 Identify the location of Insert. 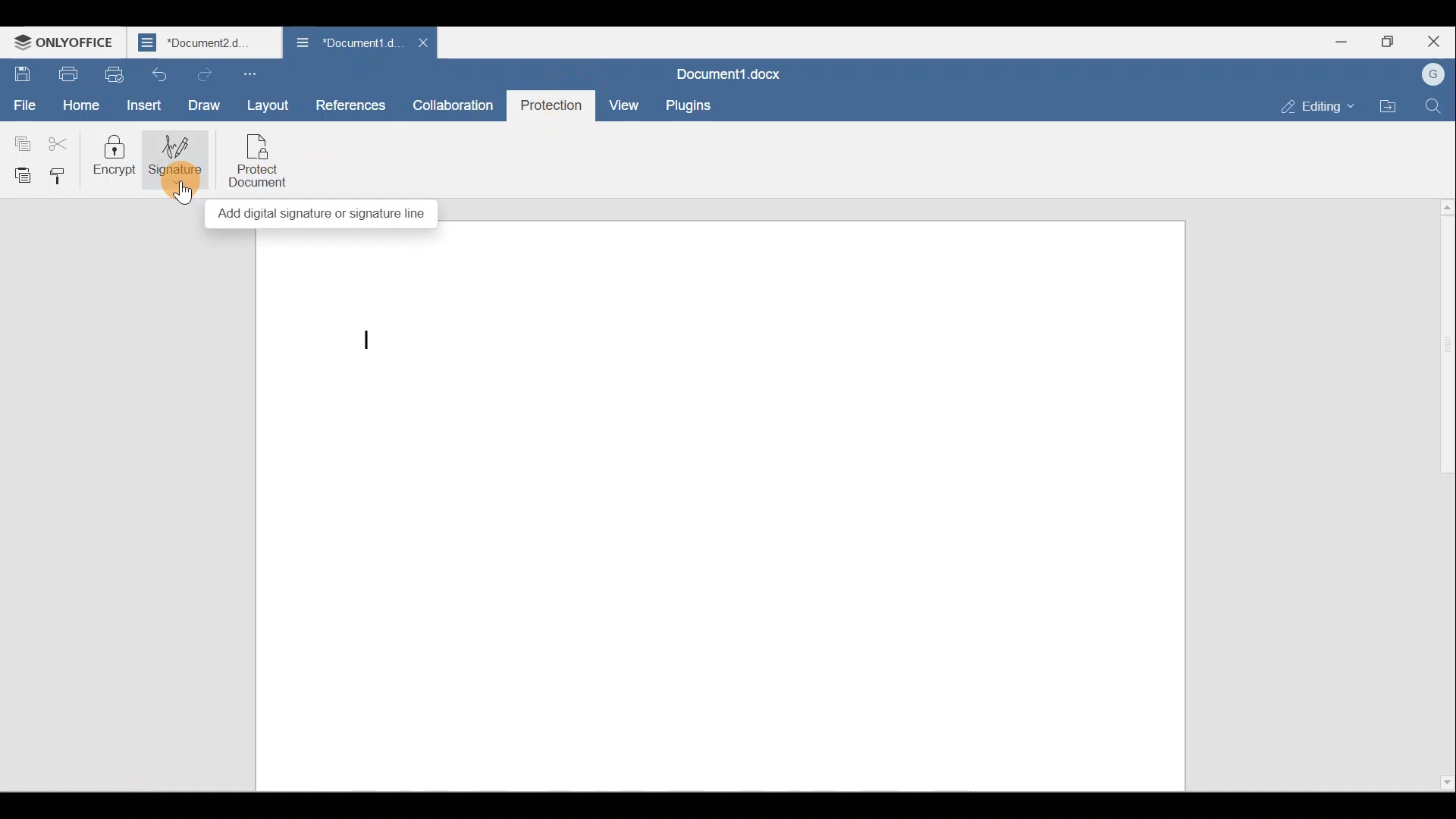
(146, 105).